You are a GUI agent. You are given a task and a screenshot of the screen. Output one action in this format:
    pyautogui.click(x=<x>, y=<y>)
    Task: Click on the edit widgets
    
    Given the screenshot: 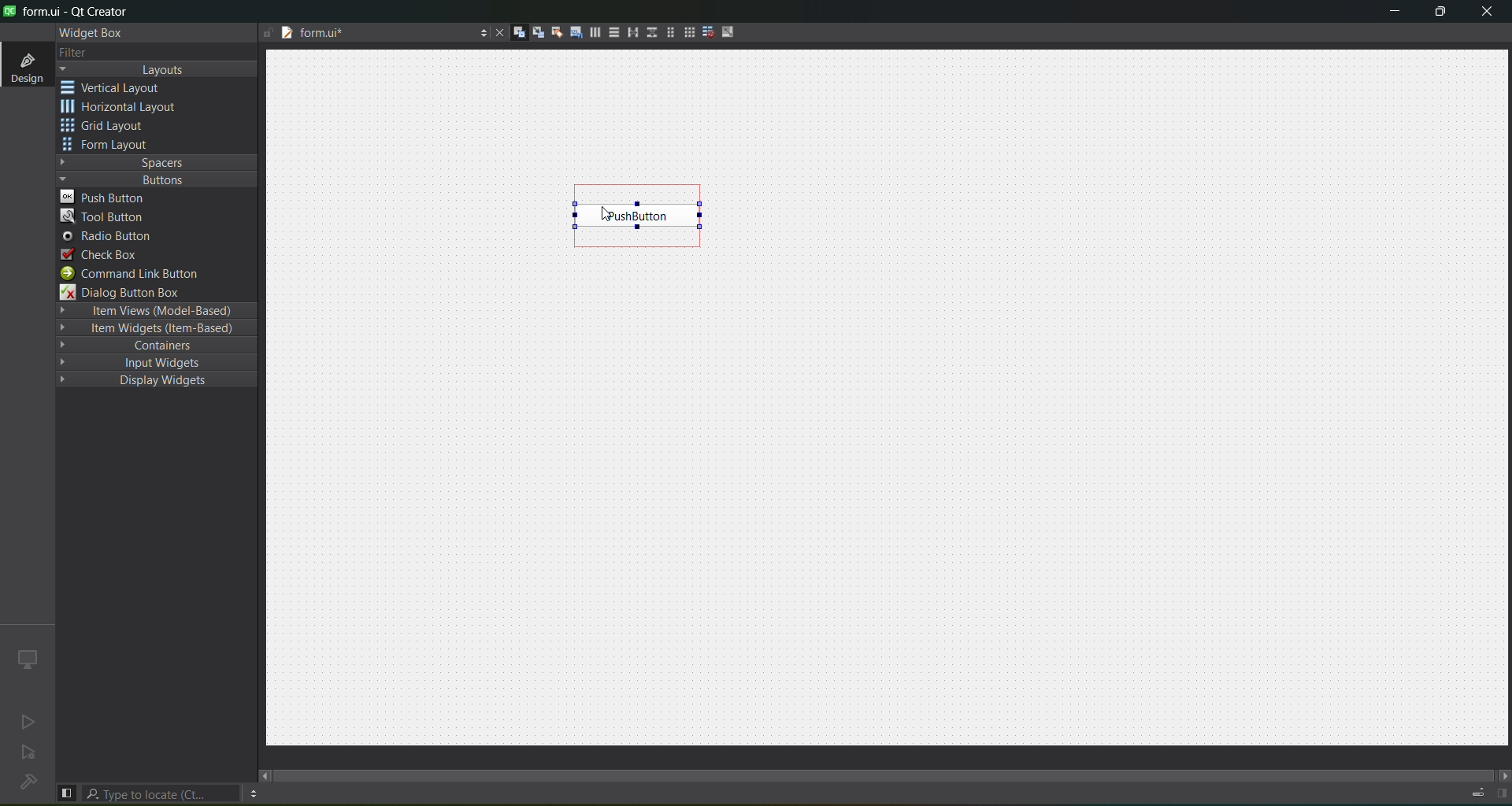 What is the action you would take?
    pyautogui.click(x=519, y=33)
    